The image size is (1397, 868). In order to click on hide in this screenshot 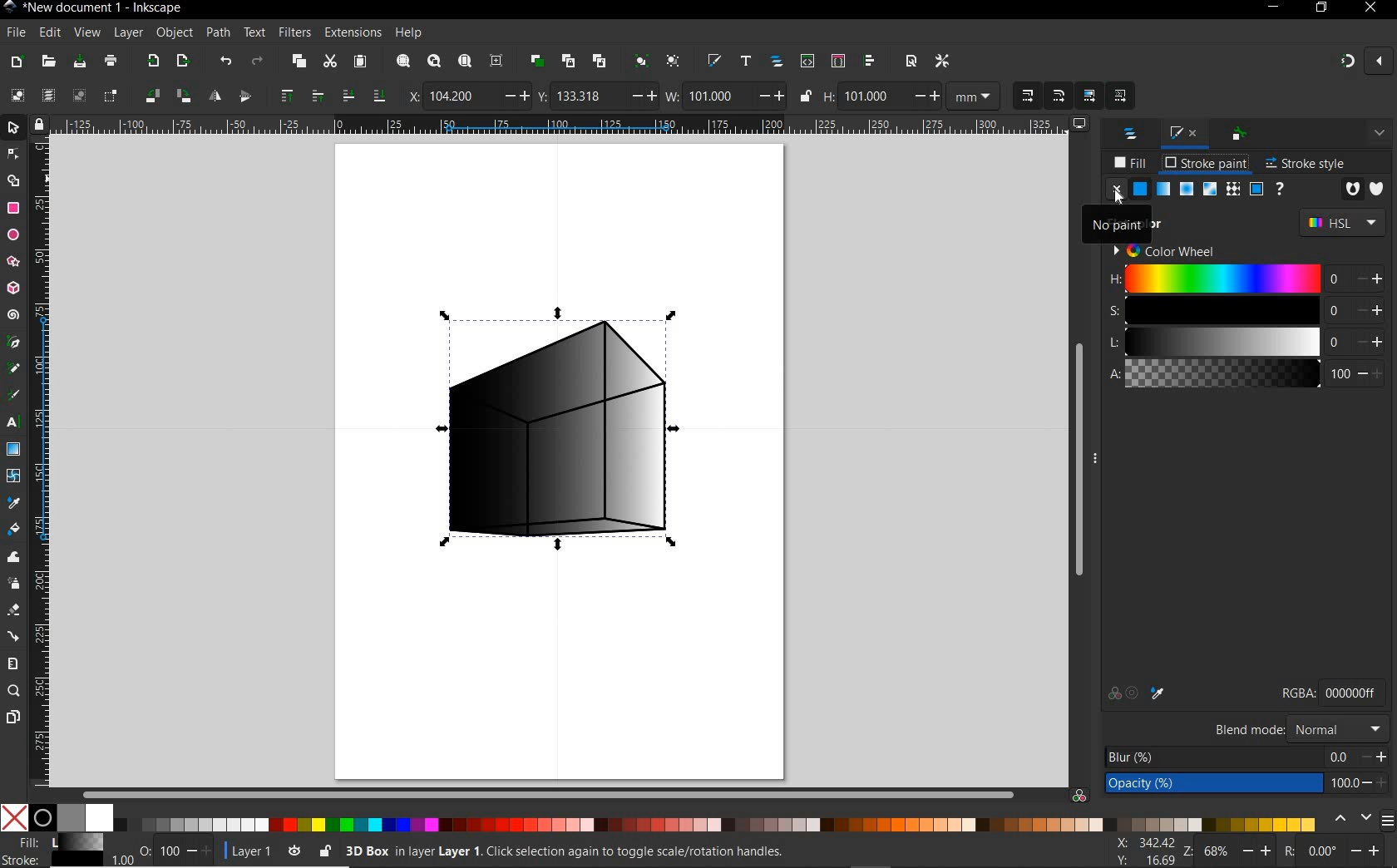, I will do `click(1100, 458)`.